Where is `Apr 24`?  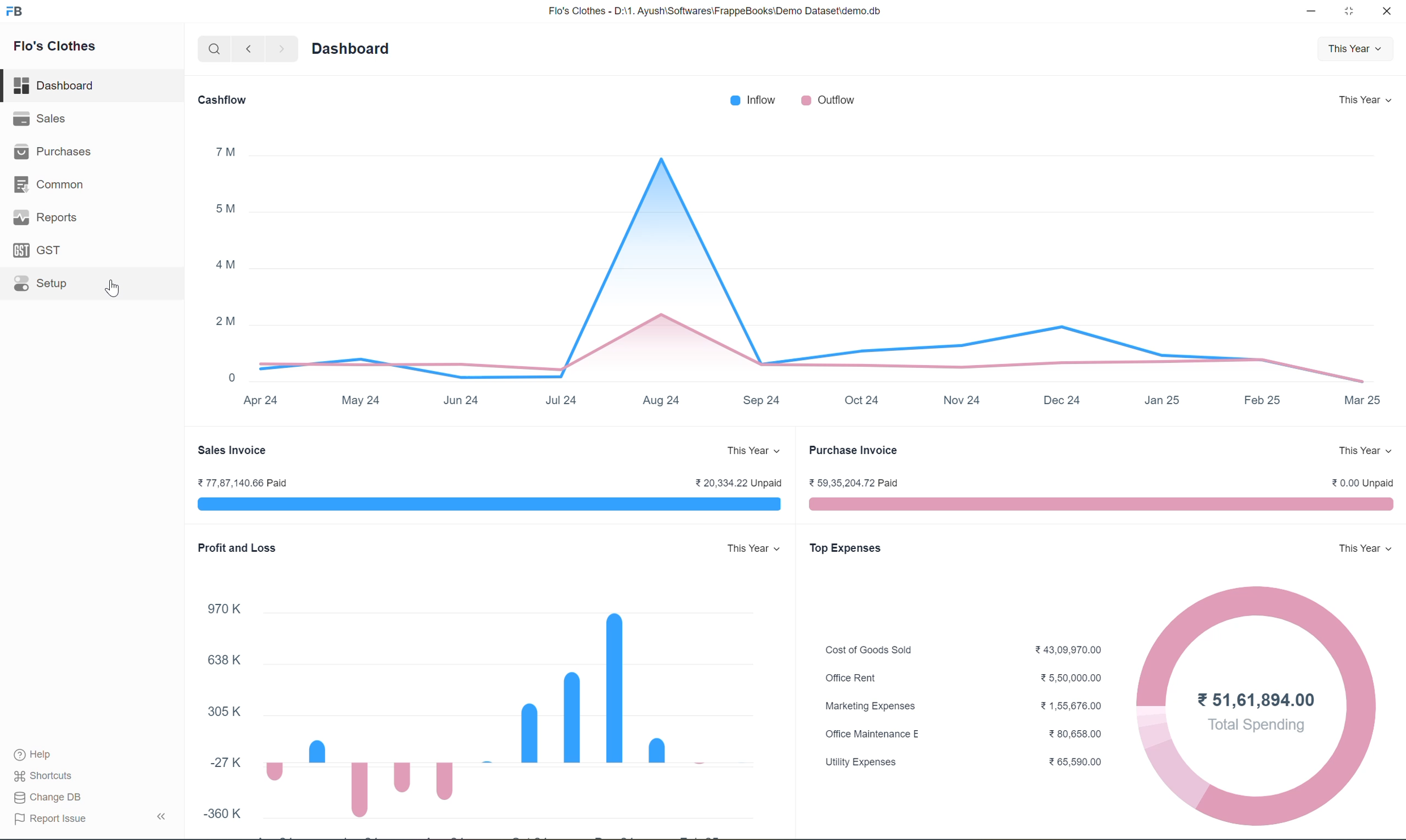 Apr 24 is located at coordinates (260, 398).